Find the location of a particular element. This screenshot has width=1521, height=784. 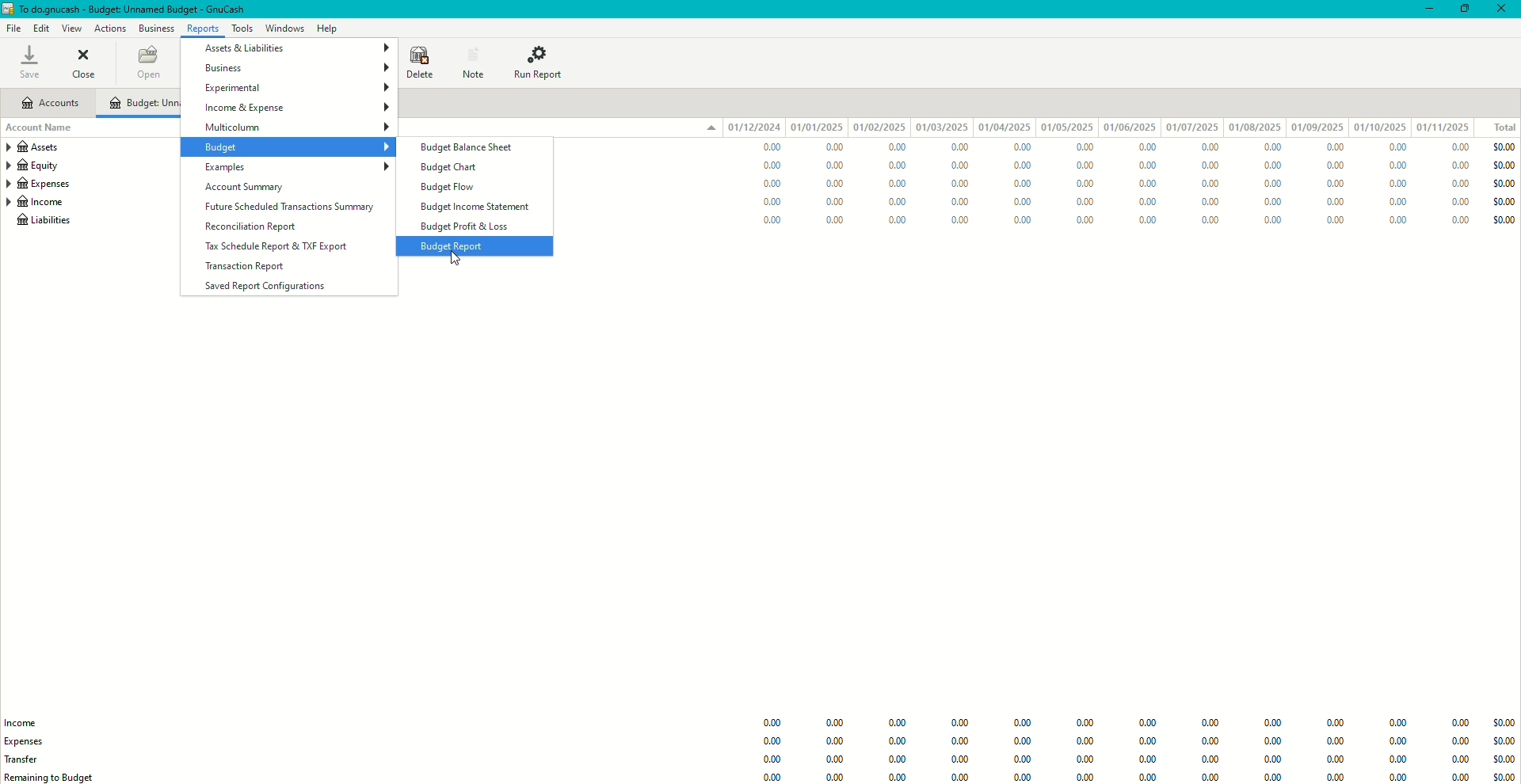

Trade is located at coordinates (29, 758).